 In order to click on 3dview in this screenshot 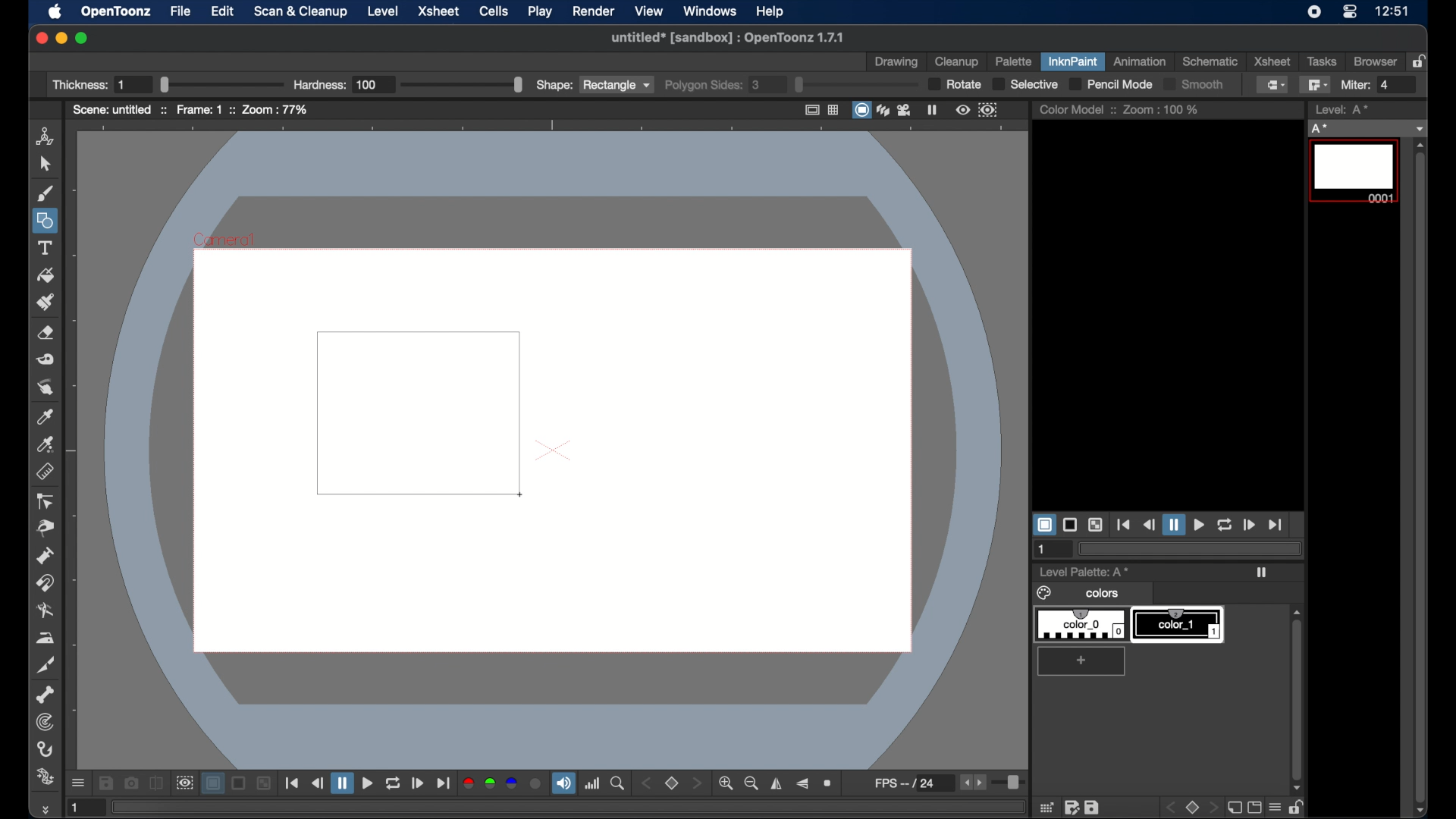, I will do `click(884, 111)`.